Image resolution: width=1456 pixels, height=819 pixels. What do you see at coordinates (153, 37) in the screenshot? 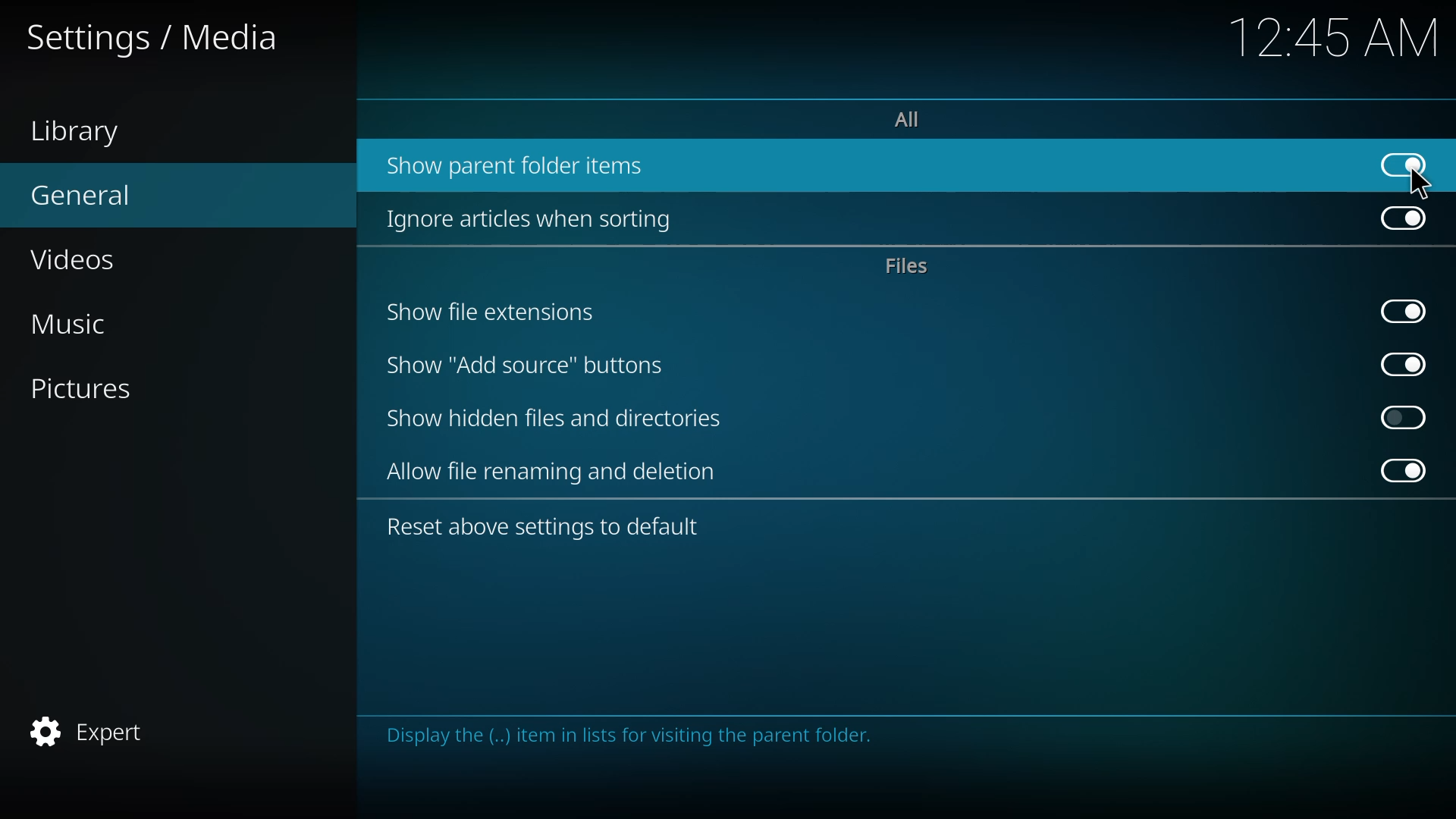
I see `settings media` at bounding box center [153, 37].